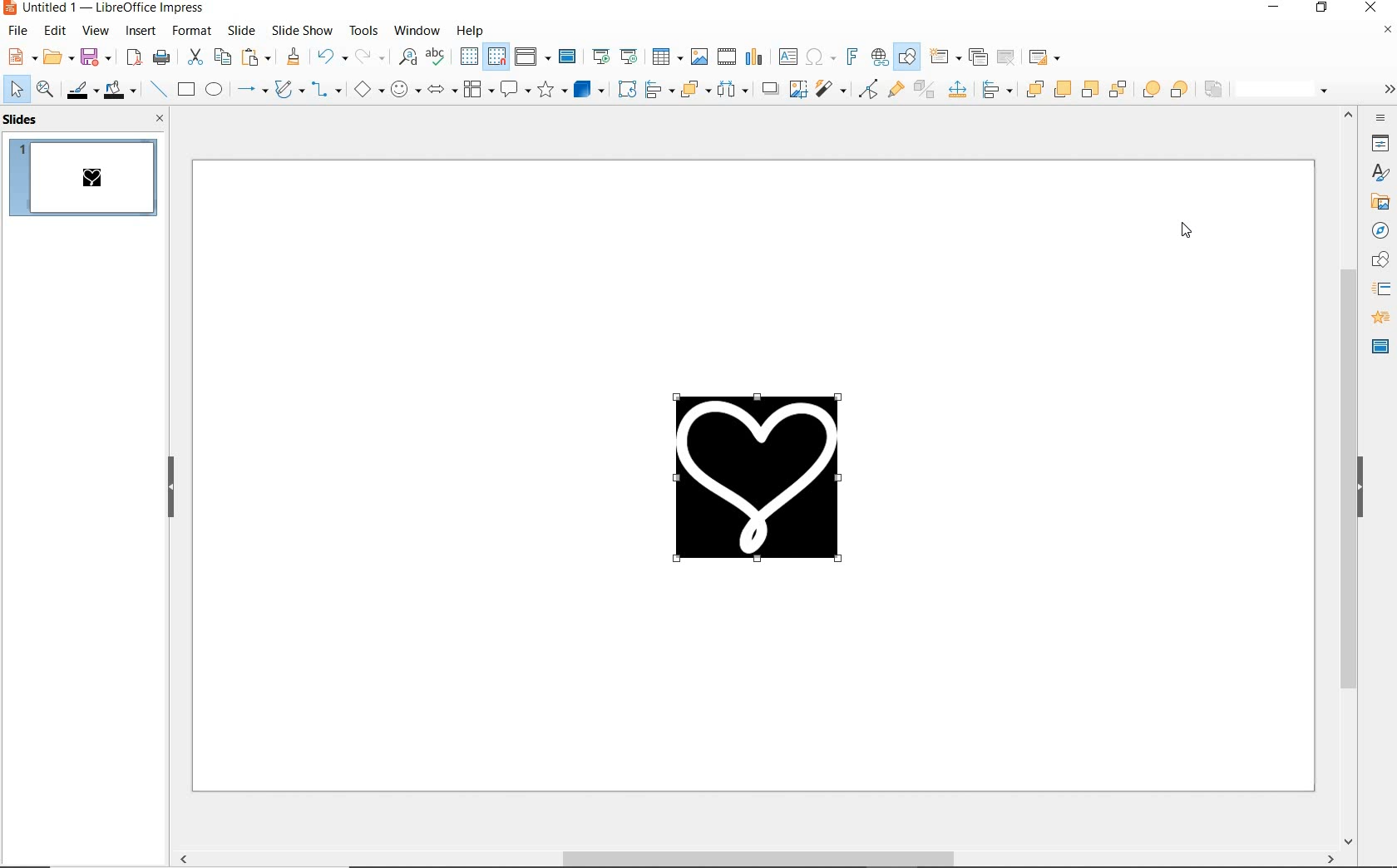 This screenshot has width=1397, height=868. I want to click on insert chart, so click(754, 60).